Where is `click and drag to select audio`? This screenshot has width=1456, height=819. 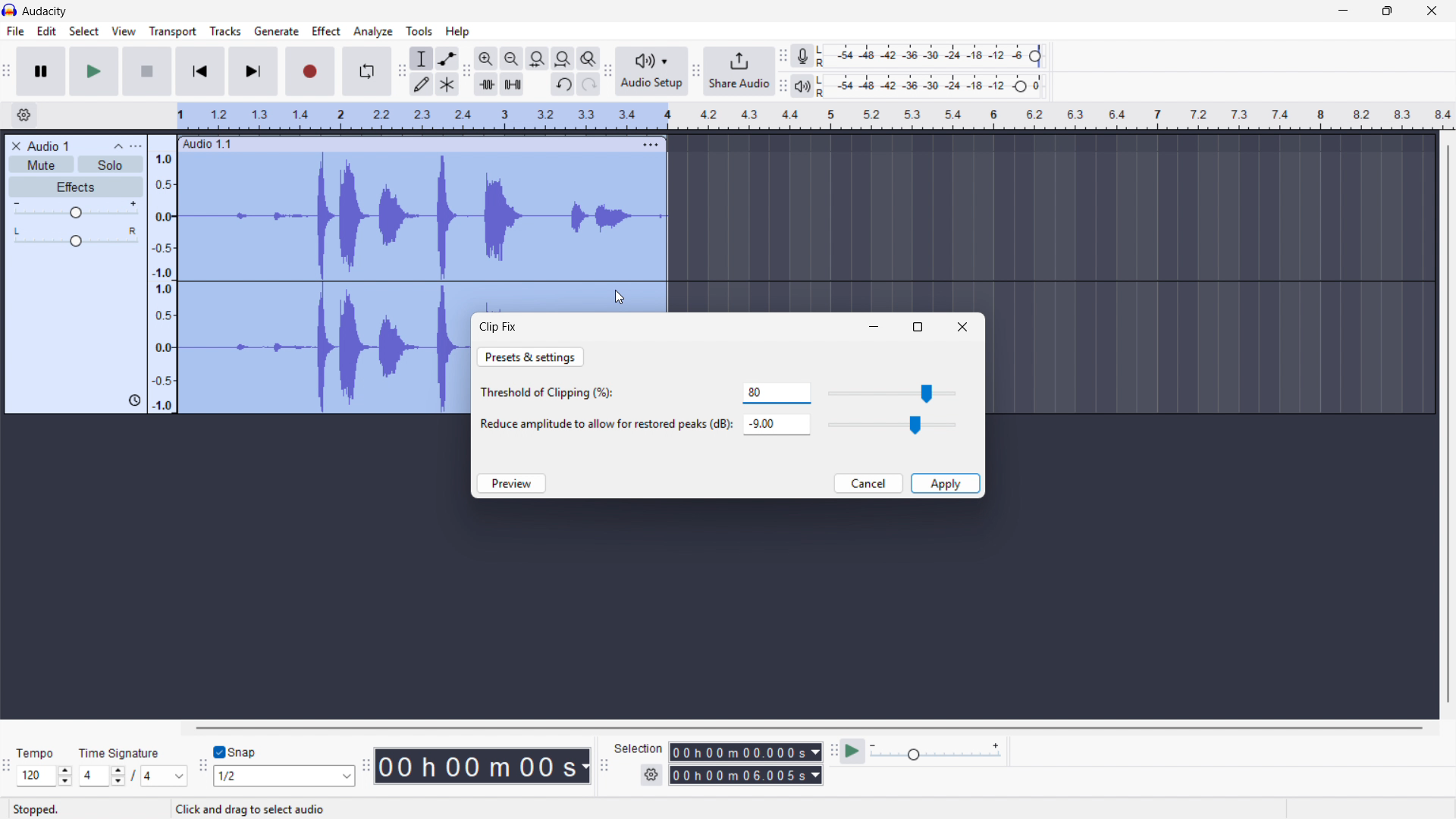
click and drag to select audio is located at coordinates (249, 809).